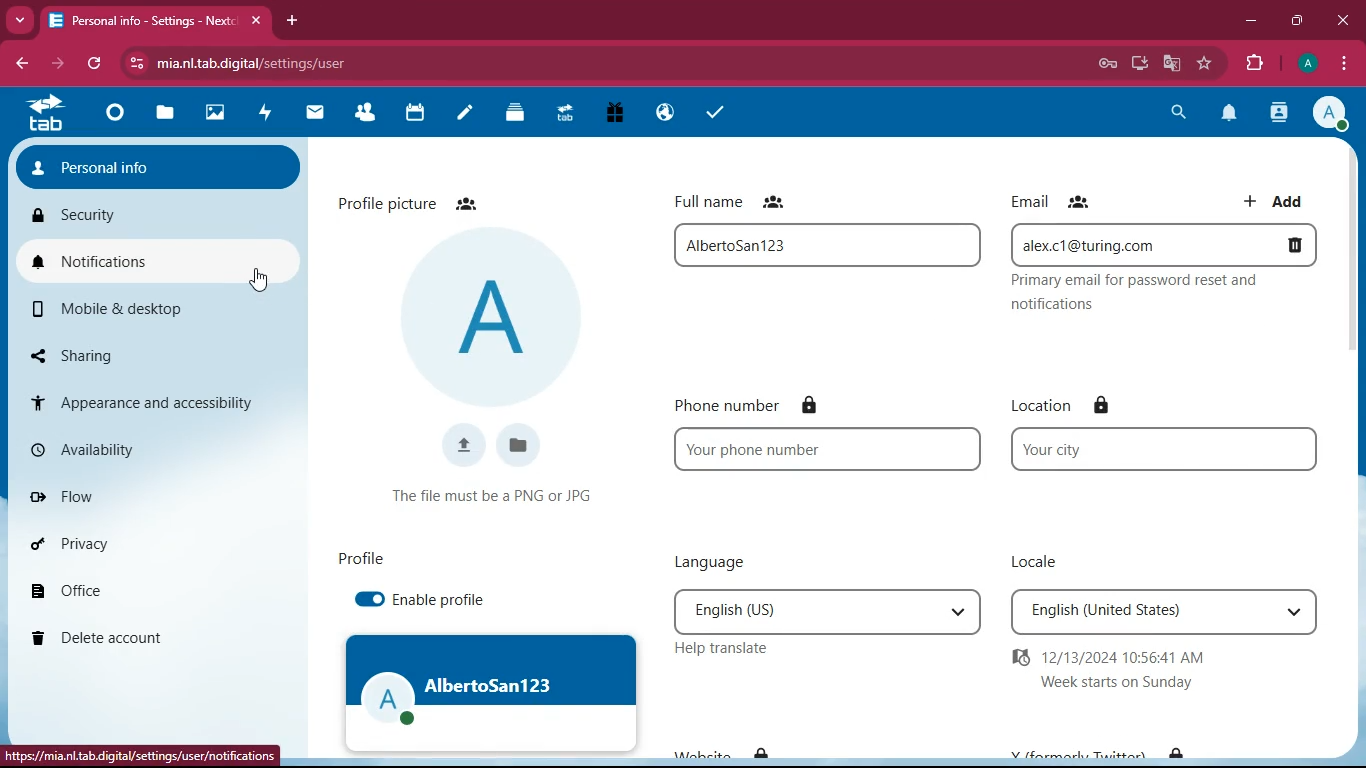  I want to click on search, so click(1178, 111).